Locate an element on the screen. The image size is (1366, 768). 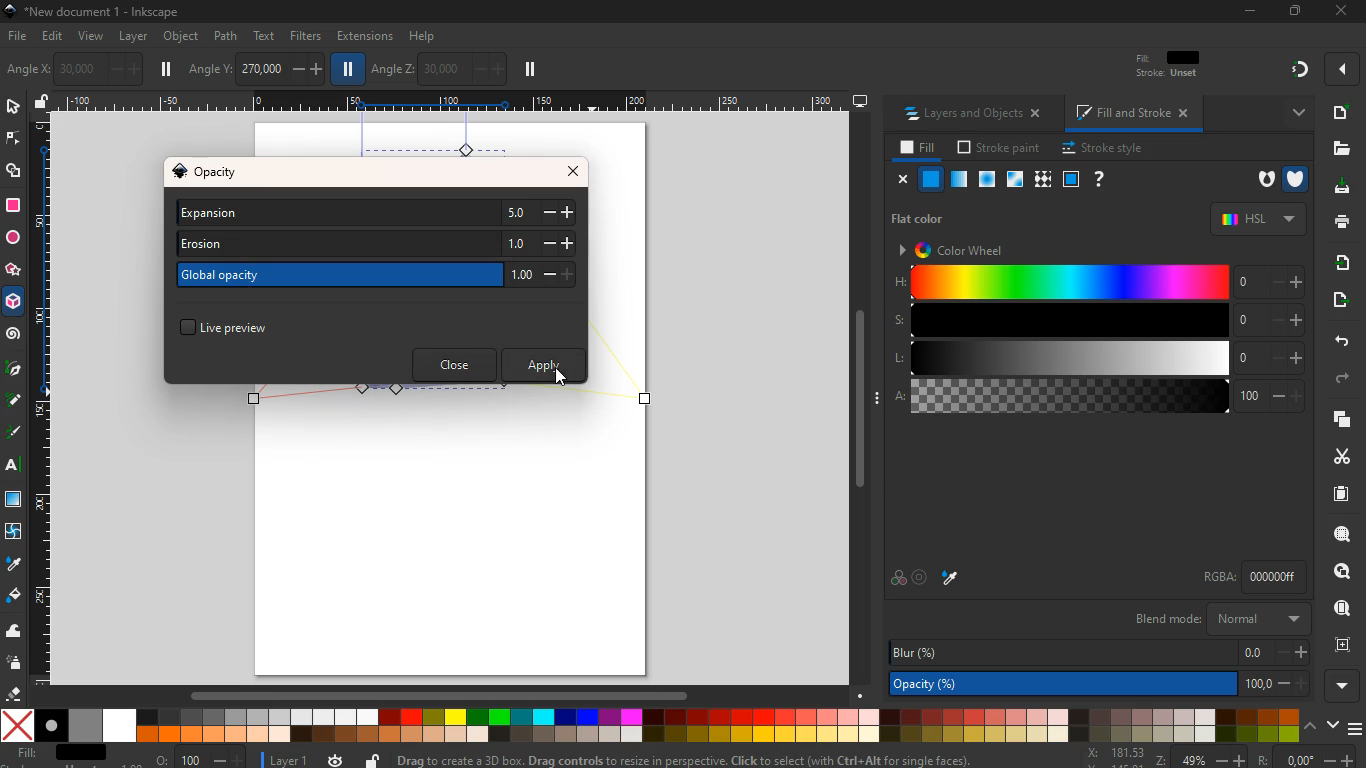
Scale is located at coordinates (447, 101).